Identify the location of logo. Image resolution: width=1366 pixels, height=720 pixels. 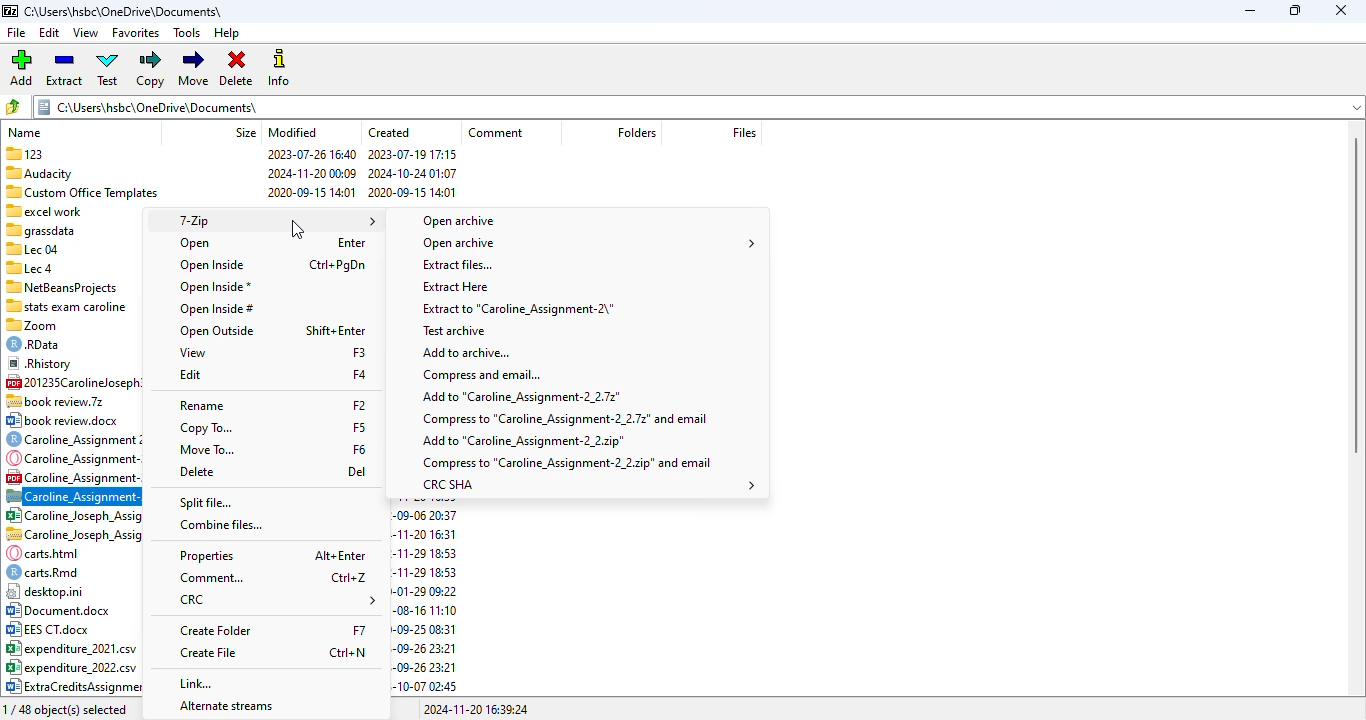
(9, 11).